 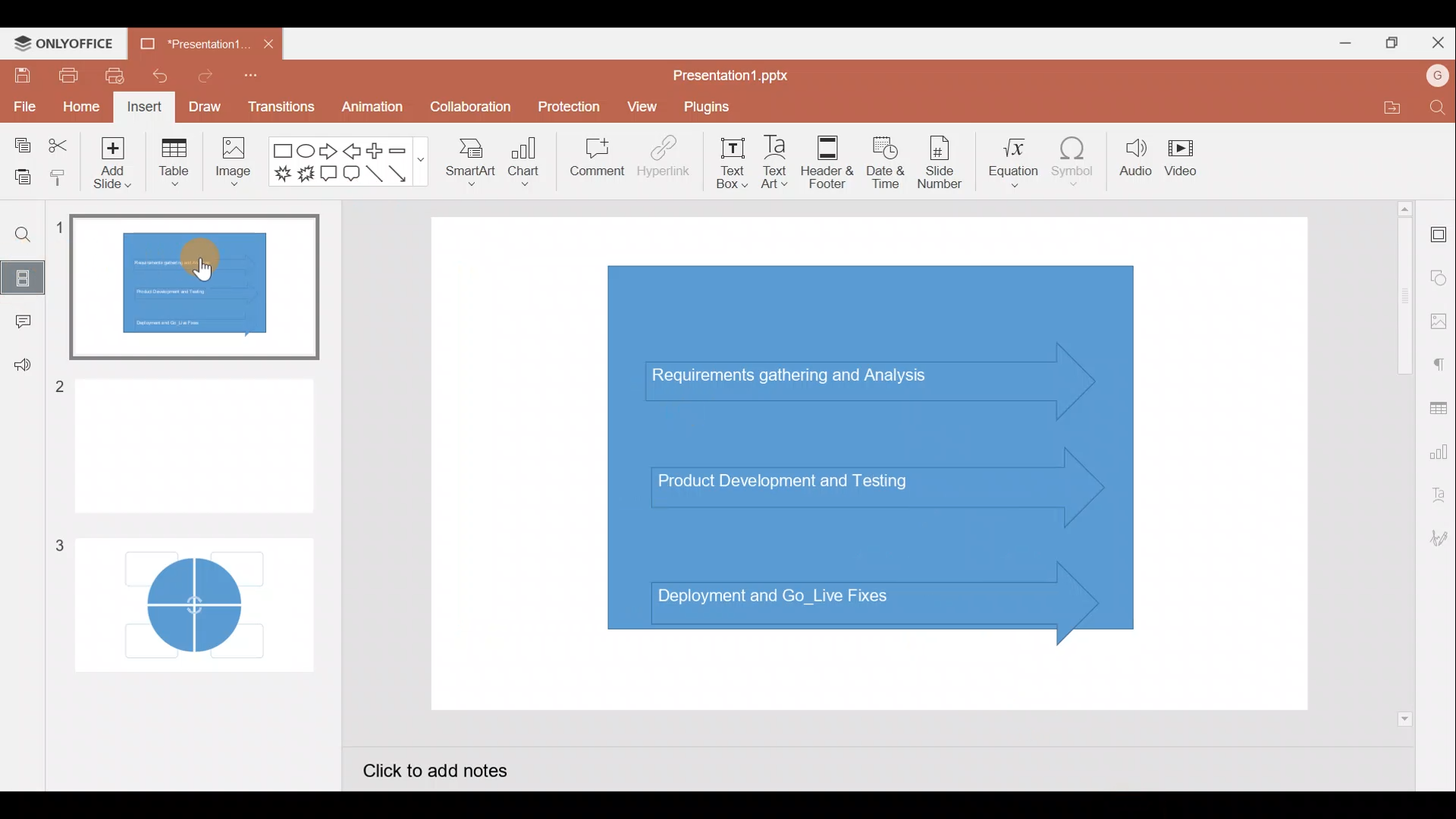 What do you see at coordinates (592, 158) in the screenshot?
I see `Comment` at bounding box center [592, 158].